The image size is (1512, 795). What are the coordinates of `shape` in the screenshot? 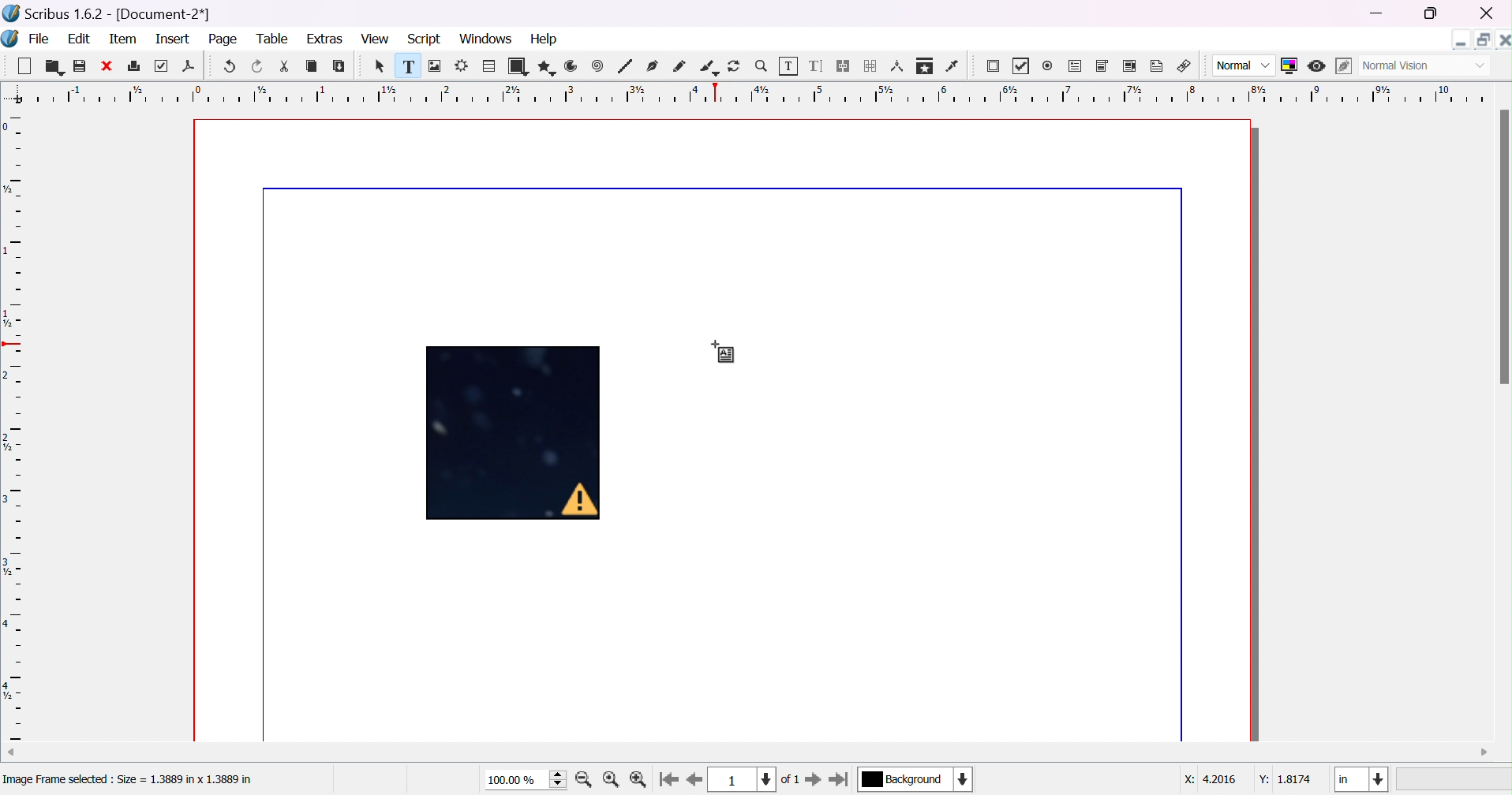 It's located at (517, 66).